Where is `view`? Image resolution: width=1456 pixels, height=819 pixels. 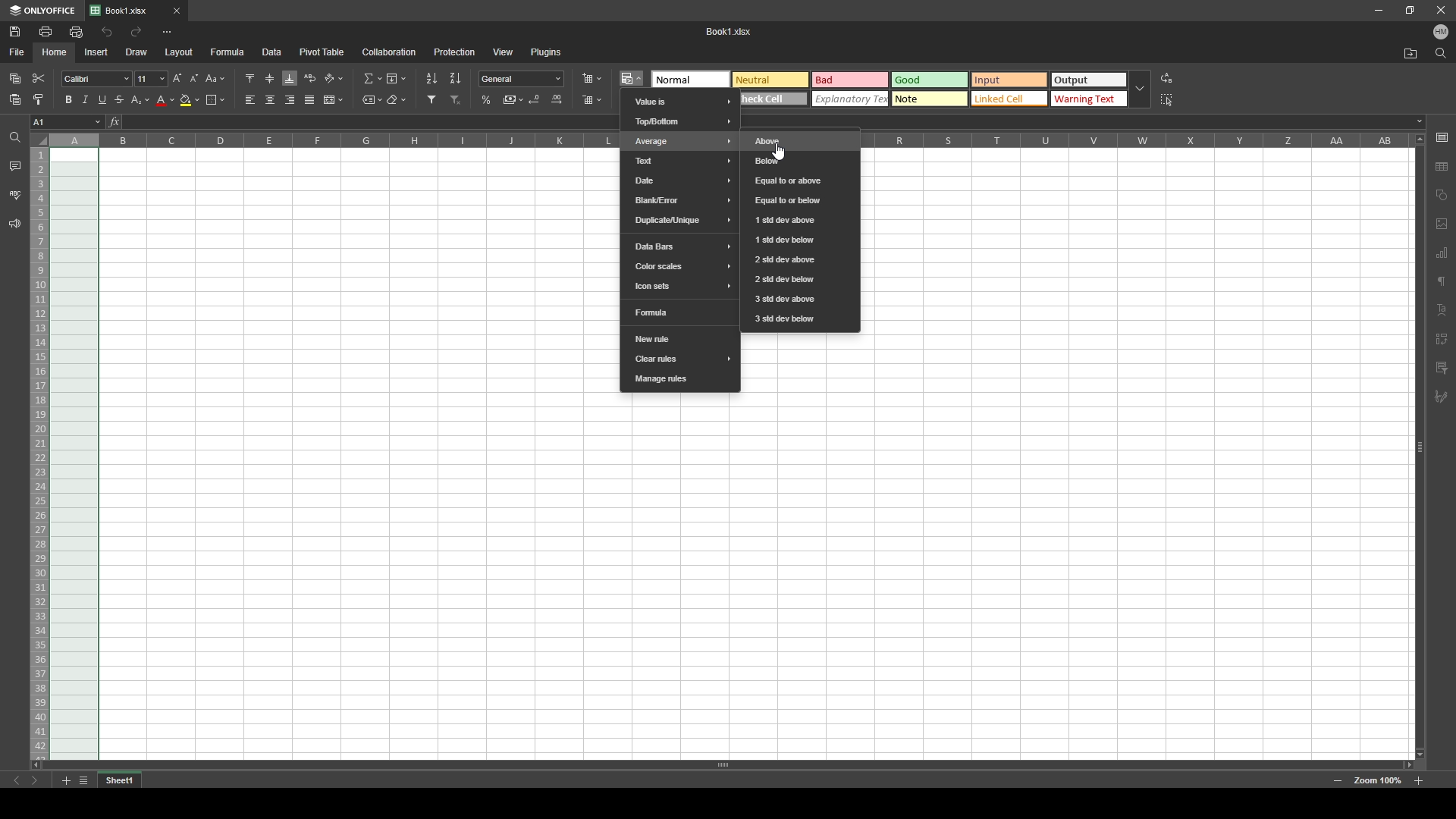 view is located at coordinates (504, 52).